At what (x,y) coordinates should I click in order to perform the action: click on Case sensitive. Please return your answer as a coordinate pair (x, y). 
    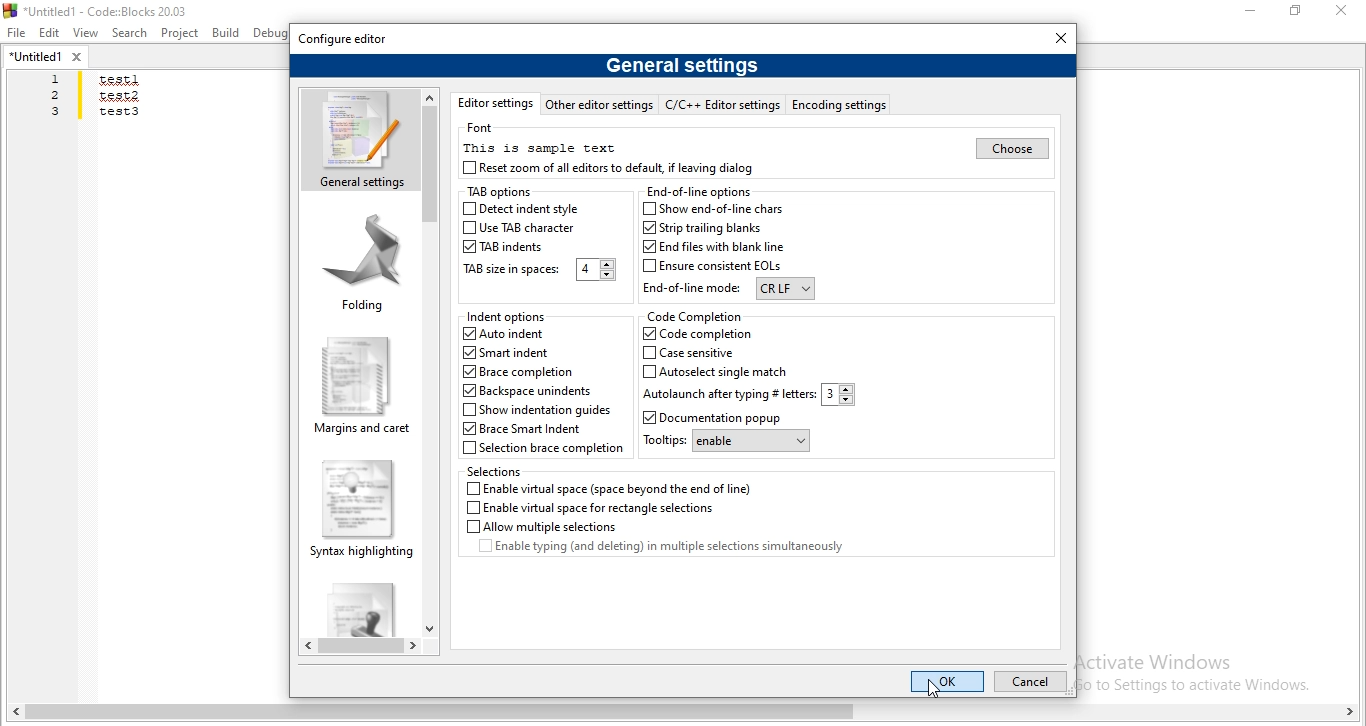
    Looking at the image, I should click on (700, 353).